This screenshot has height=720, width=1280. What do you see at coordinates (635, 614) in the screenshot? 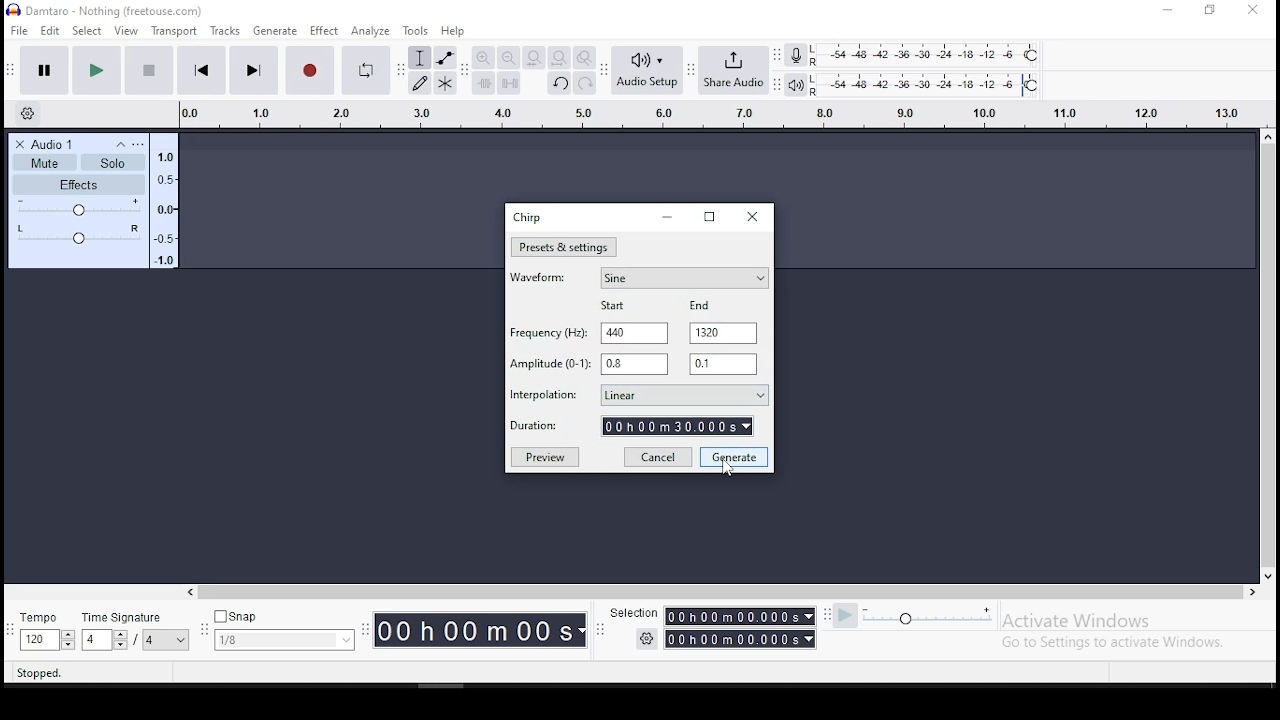
I see `selection` at bounding box center [635, 614].